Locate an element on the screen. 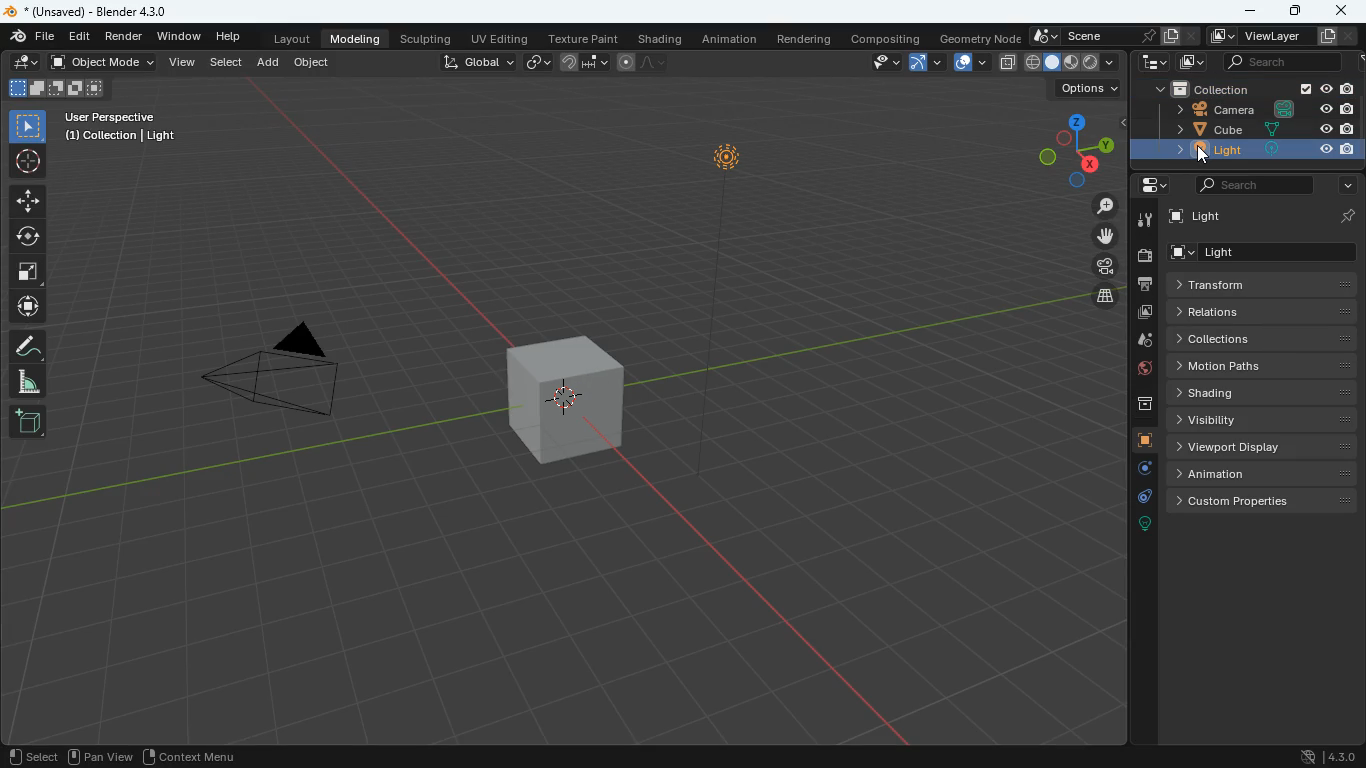 The image size is (1366, 768). file is located at coordinates (30, 38).